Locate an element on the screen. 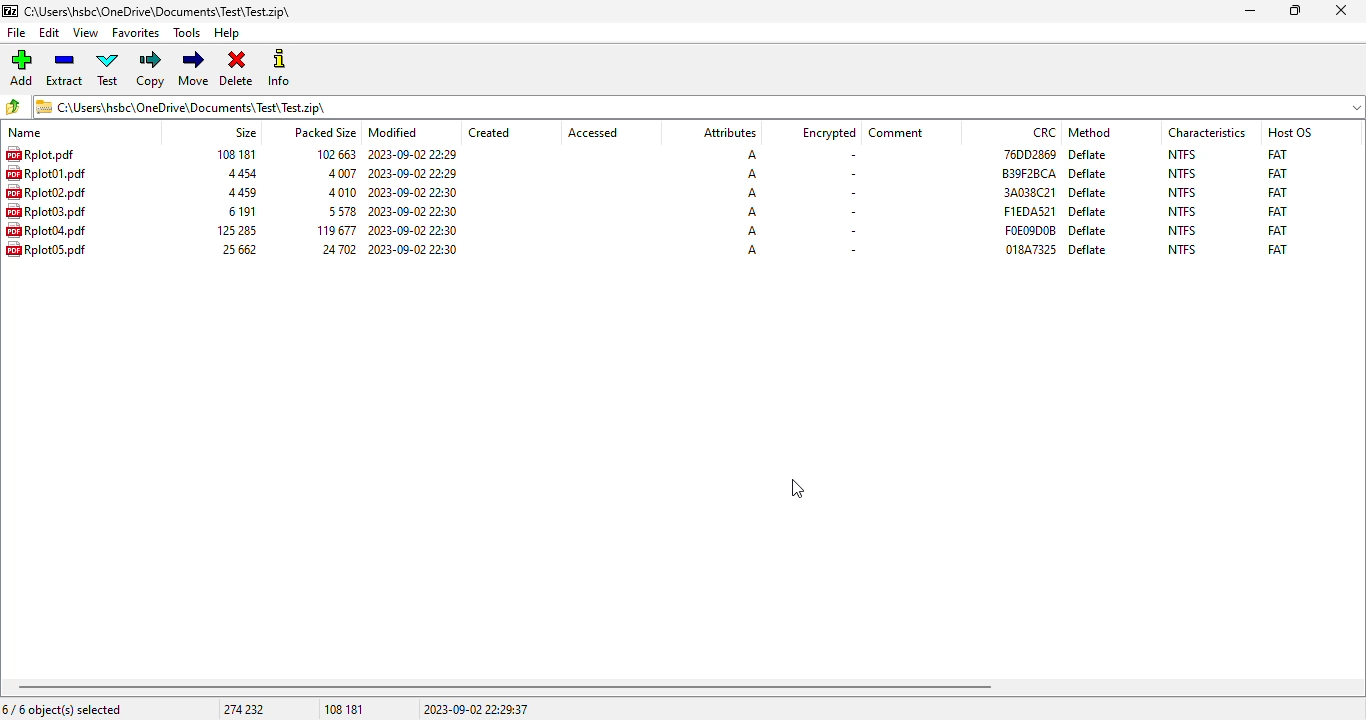 Image resolution: width=1366 pixels, height=720 pixels. accessed is located at coordinates (593, 133).